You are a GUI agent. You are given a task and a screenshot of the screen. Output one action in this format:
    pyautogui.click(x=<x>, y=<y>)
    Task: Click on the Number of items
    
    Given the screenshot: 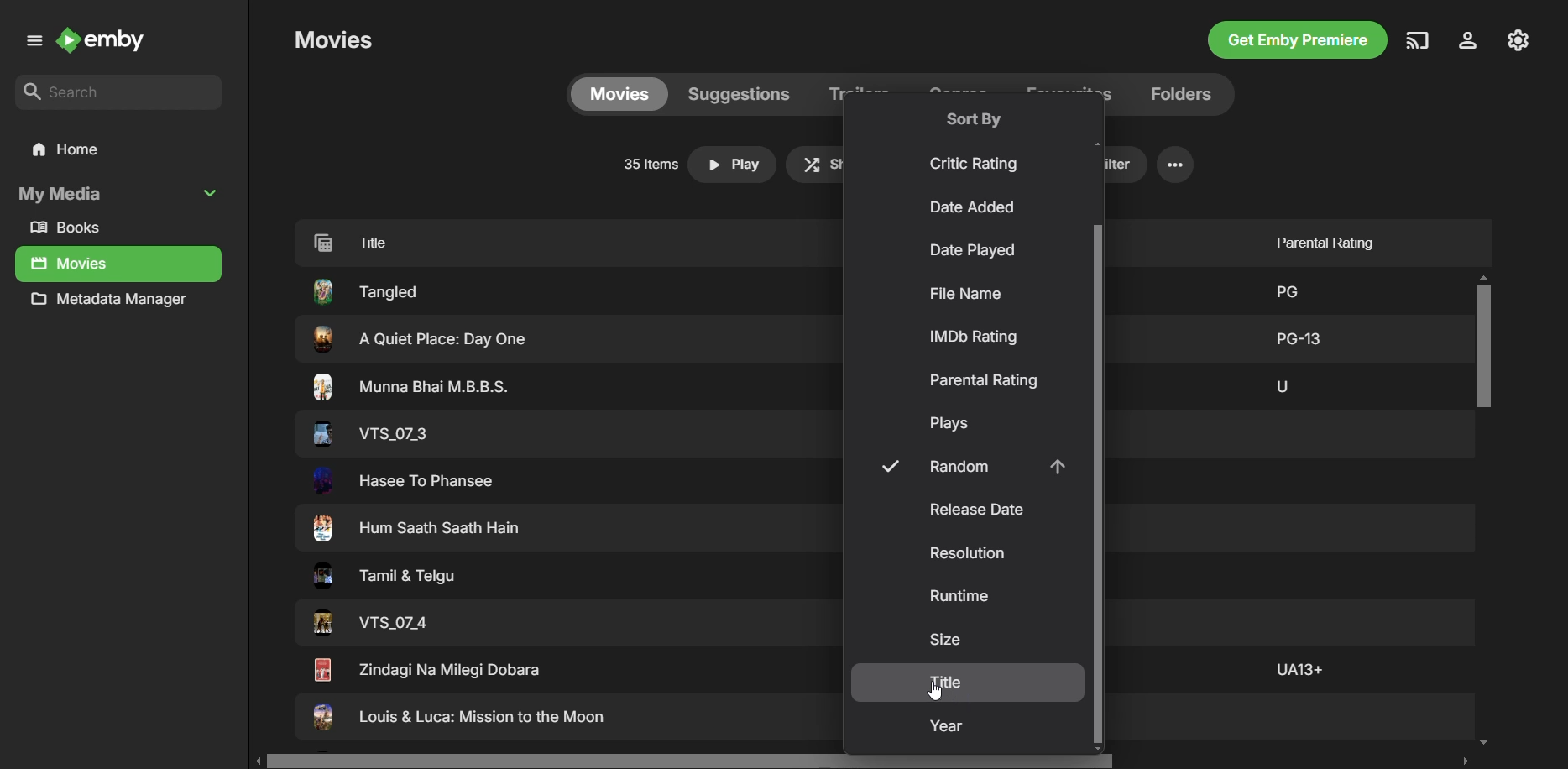 What is the action you would take?
    pyautogui.click(x=647, y=165)
    